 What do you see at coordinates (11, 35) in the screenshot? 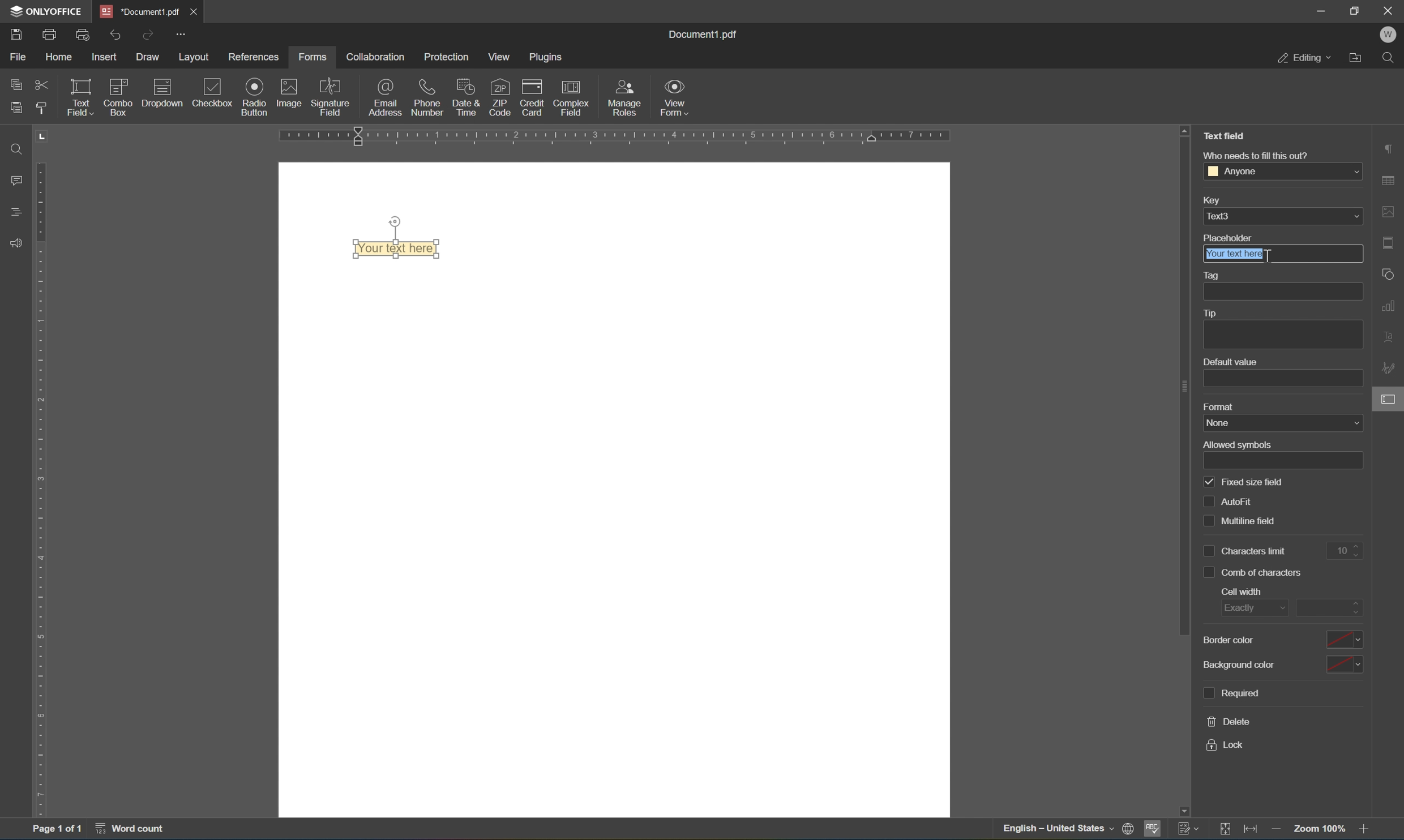
I see `save` at bounding box center [11, 35].